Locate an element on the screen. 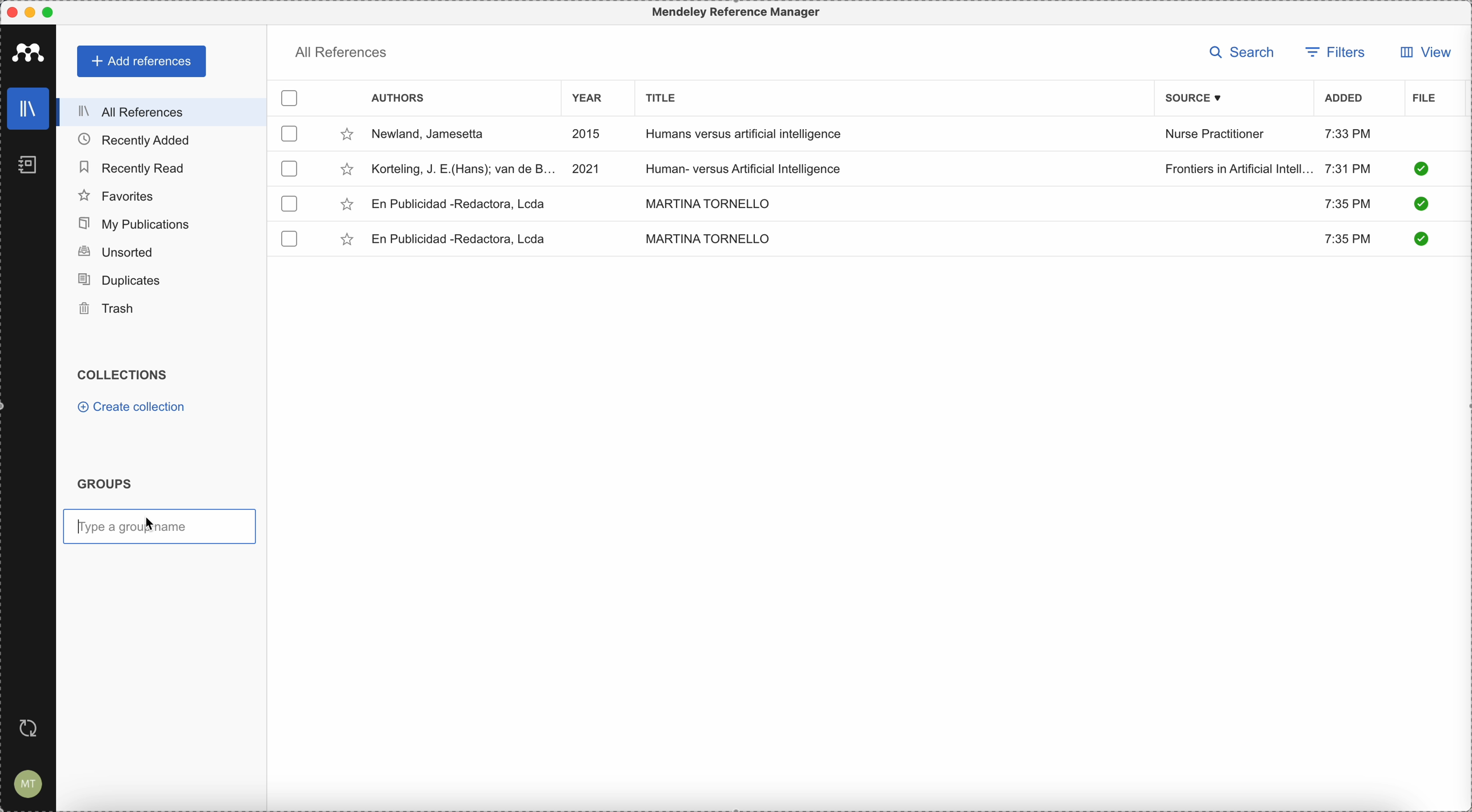 The height and width of the screenshot is (812, 1472). Frontiers in Artificial Intelligence is located at coordinates (1238, 169).